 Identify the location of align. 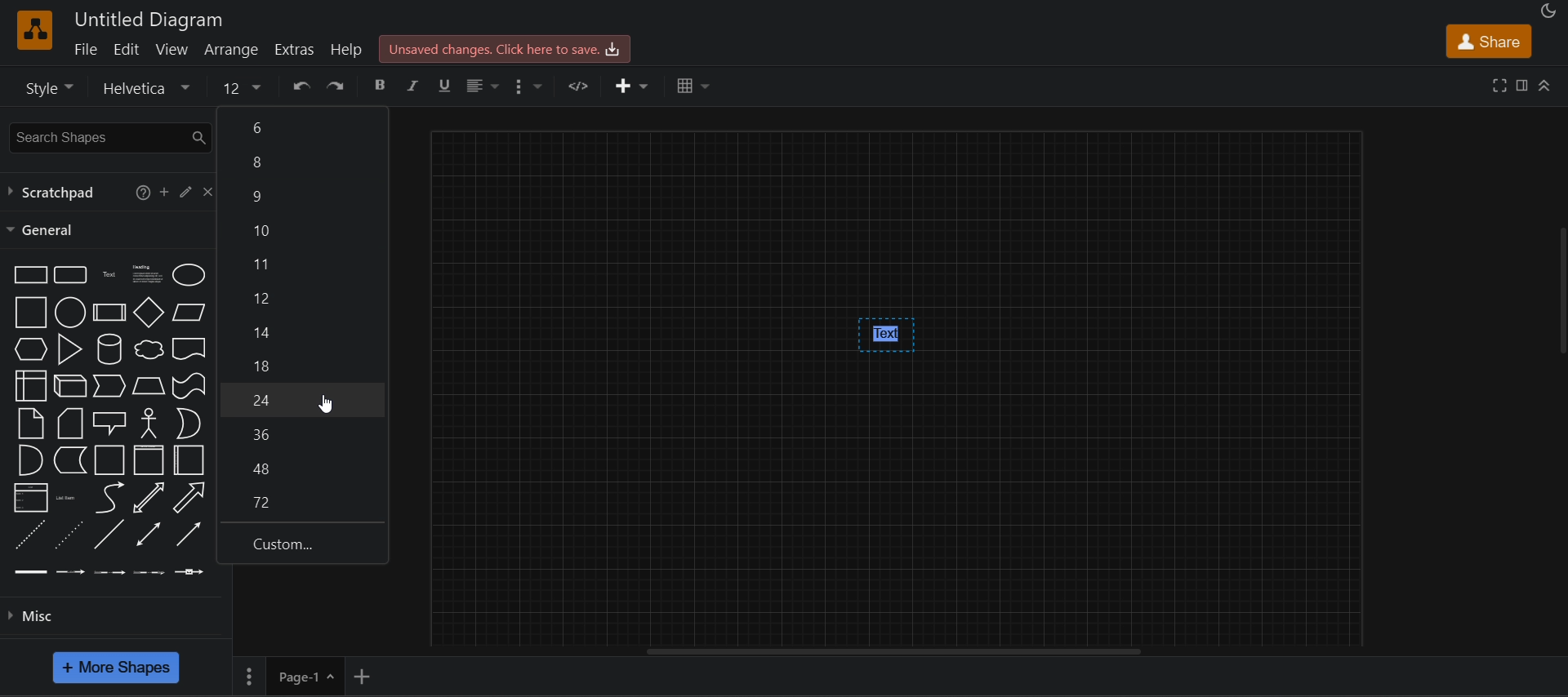
(483, 87).